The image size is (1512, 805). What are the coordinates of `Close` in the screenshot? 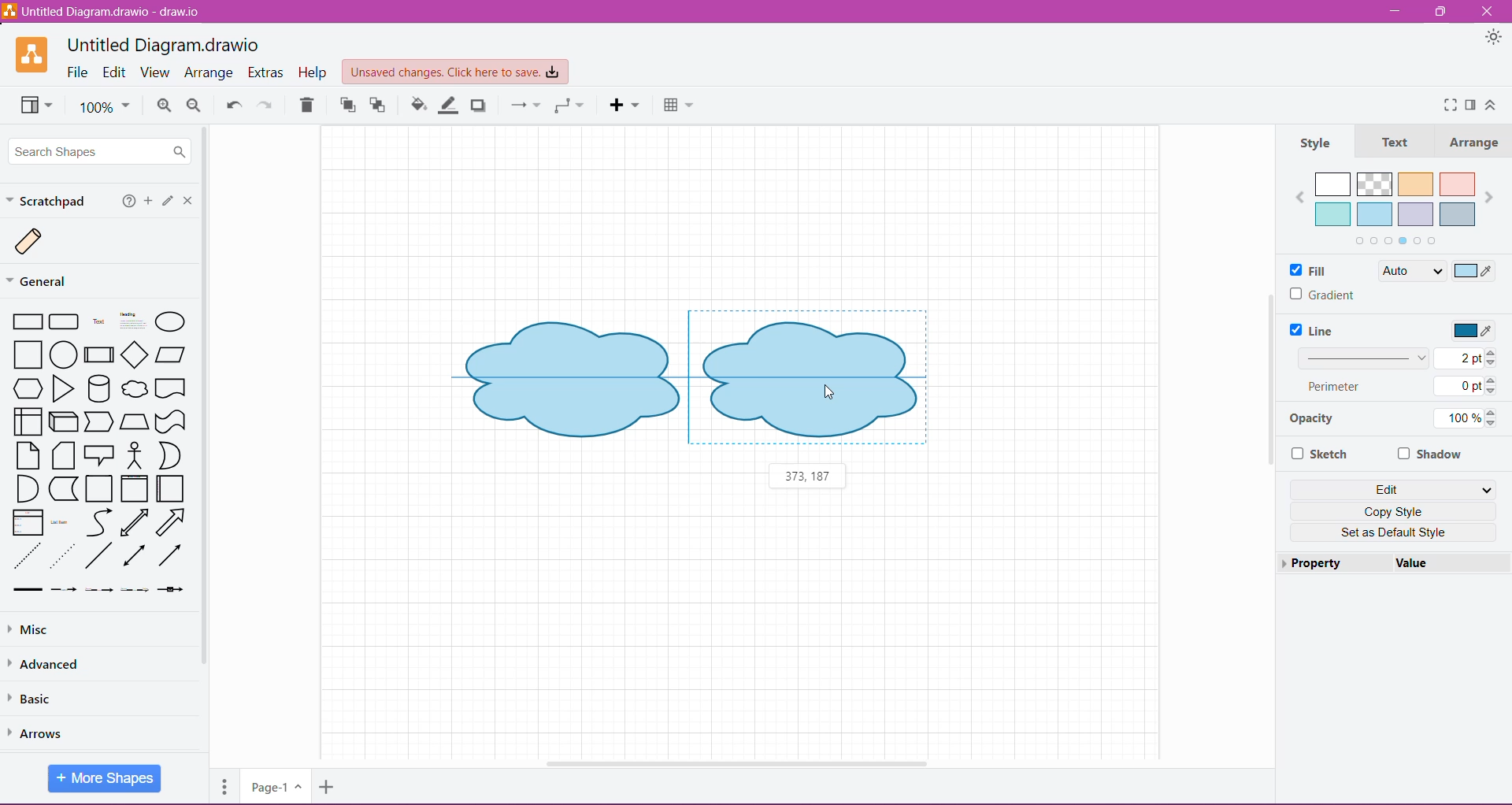 It's located at (191, 202).